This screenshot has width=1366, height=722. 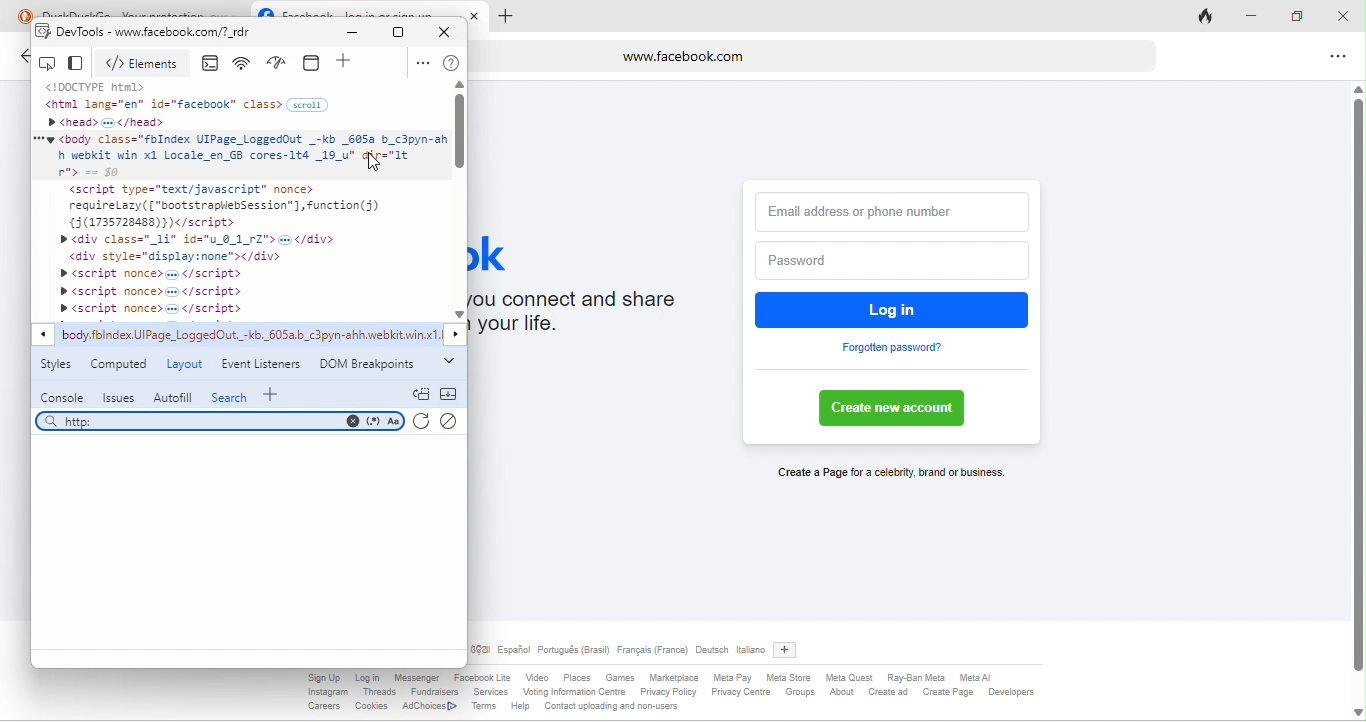 What do you see at coordinates (450, 31) in the screenshot?
I see `close` at bounding box center [450, 31].